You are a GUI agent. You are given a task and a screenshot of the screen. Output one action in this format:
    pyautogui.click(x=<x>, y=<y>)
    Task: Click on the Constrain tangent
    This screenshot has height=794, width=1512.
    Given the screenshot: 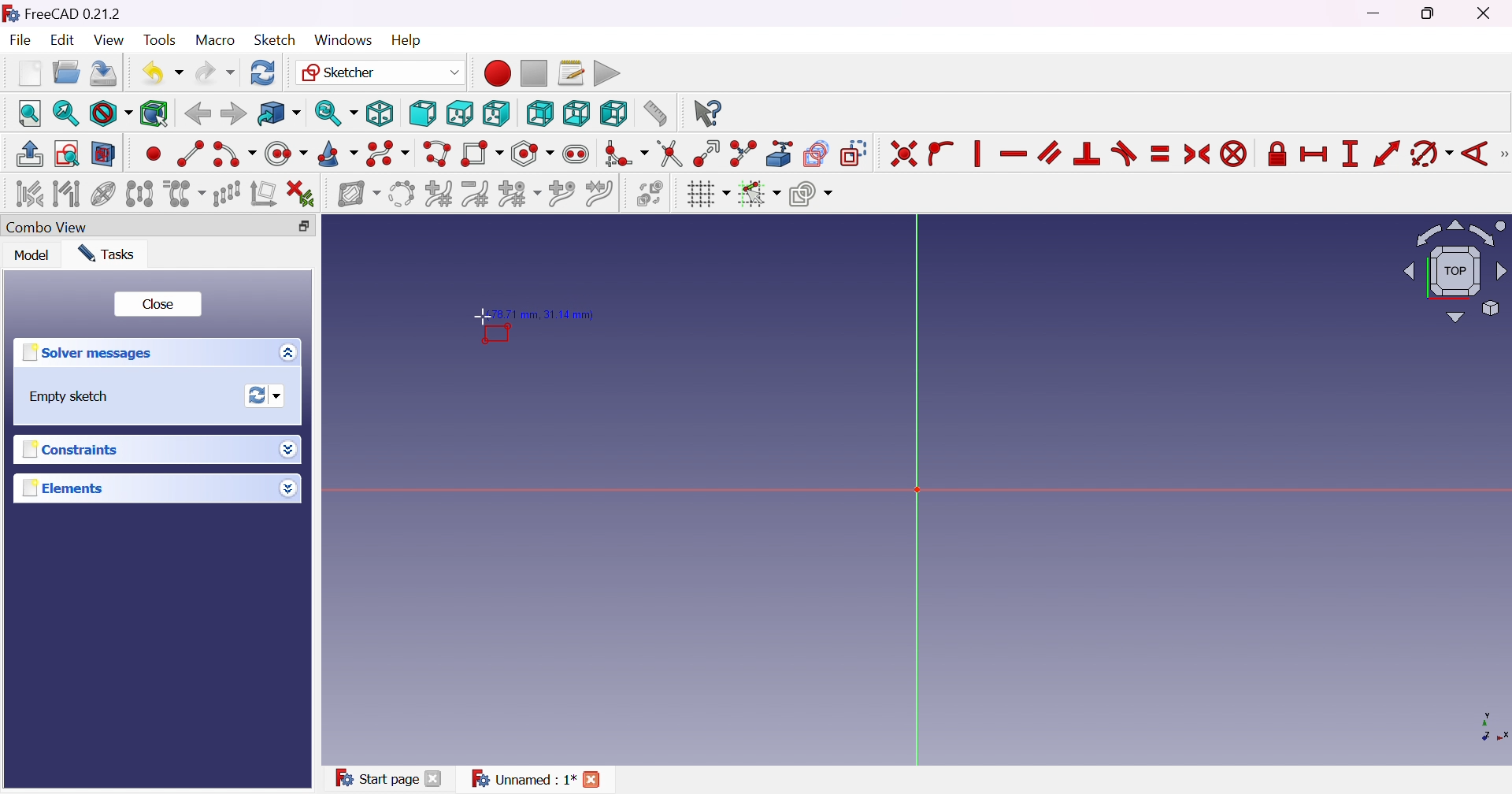 What is the action you would take?
    pyautogui.click(x=1124, y=154)
    